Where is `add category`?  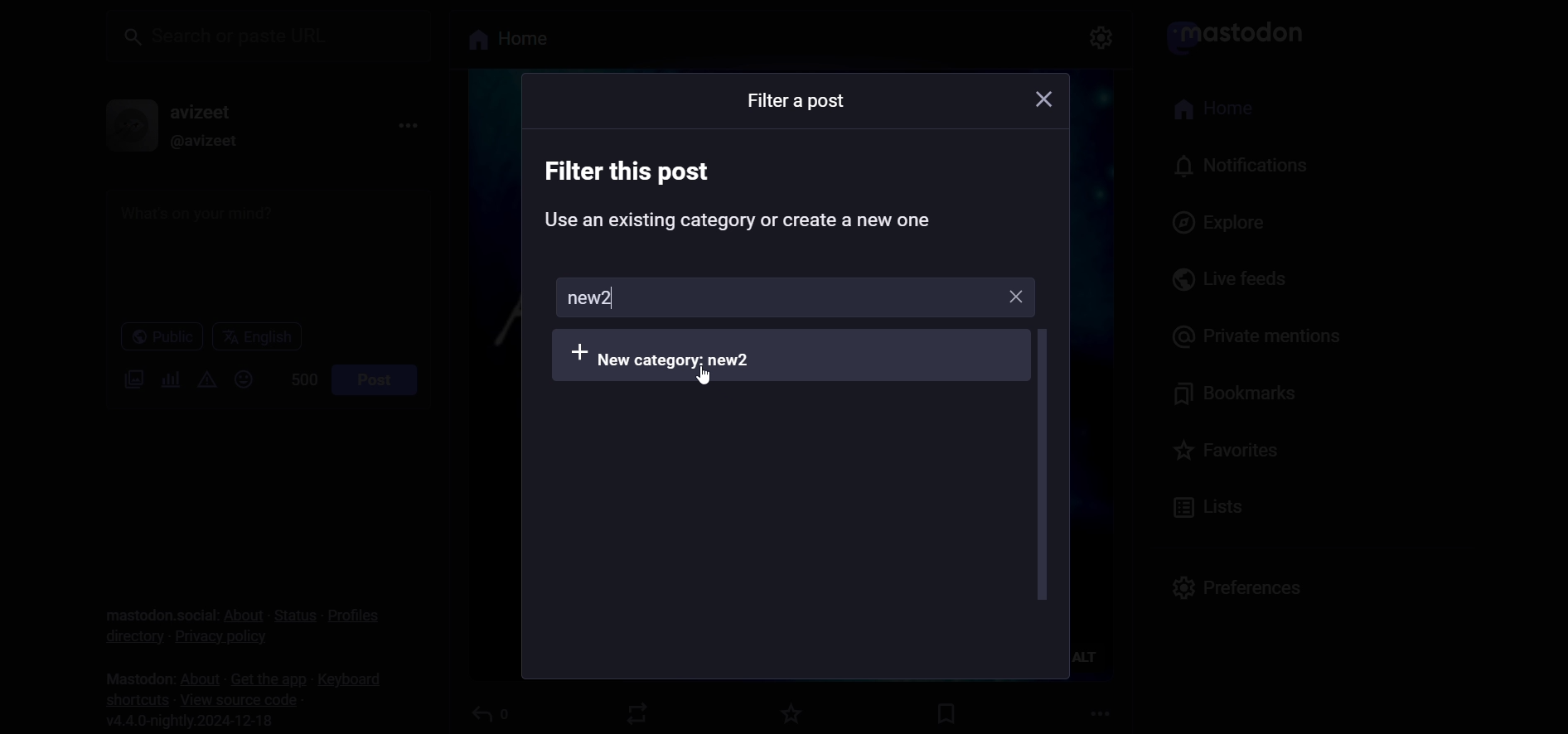
add category is located at coordinates (682, 357).